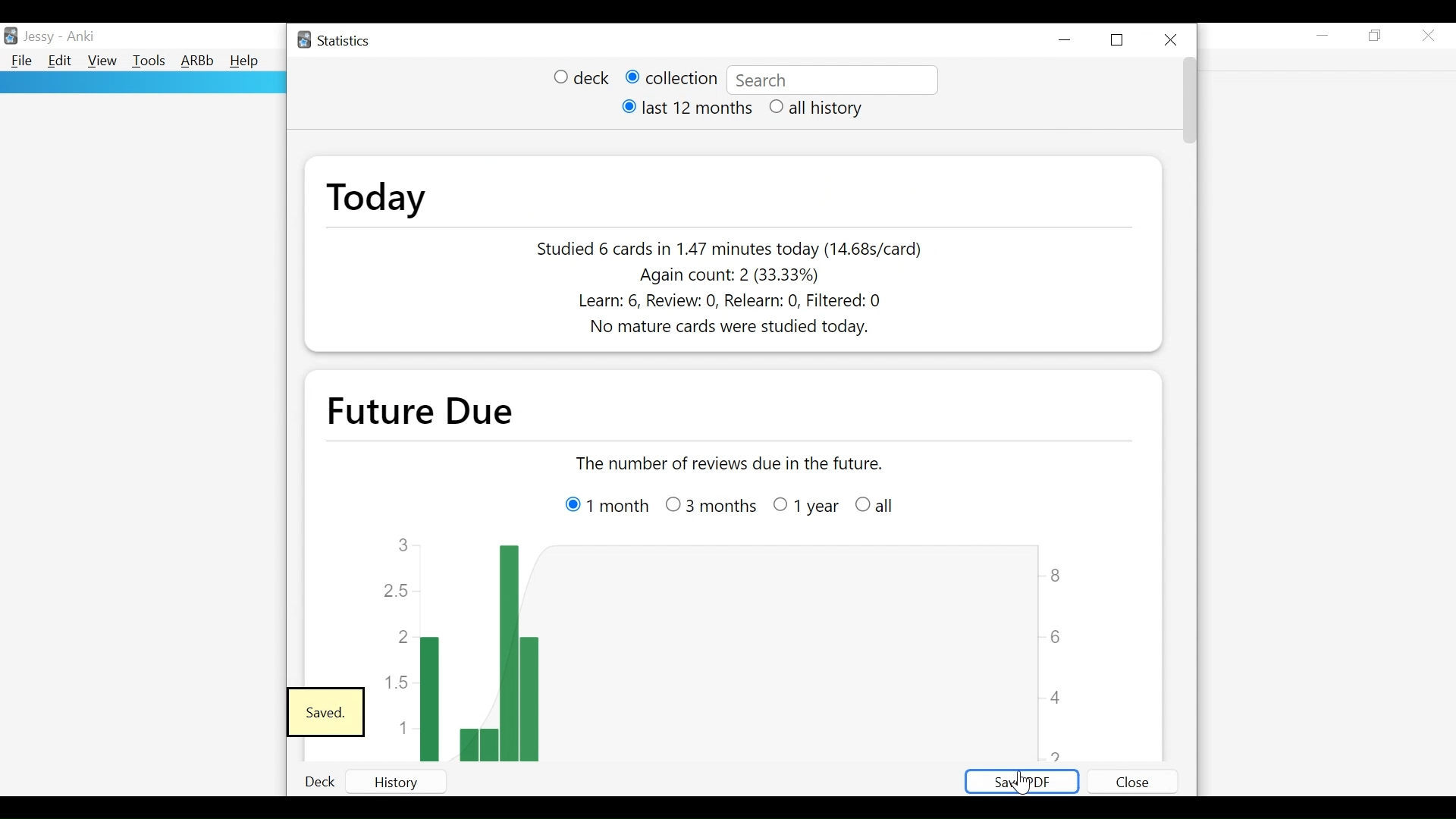 This screenshot has width=1456, height=819. What do you see at coordinates (20, 61) in the screenshot?
I see `File` at bounding box center [20, 61].